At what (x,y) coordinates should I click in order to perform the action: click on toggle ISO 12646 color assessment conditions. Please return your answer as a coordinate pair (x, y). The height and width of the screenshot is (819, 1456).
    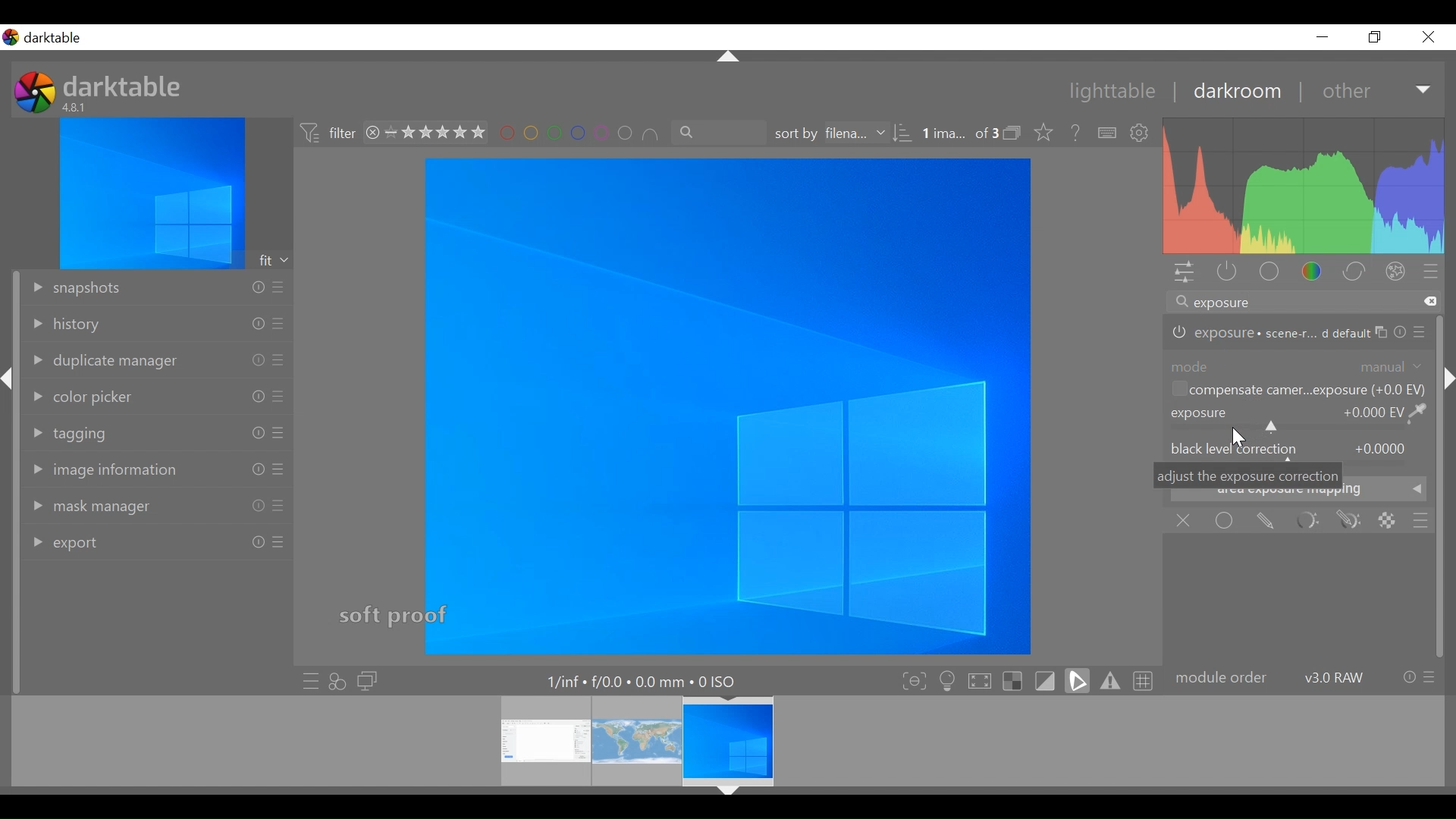
    Looking at the image, I should click on (946, 679).